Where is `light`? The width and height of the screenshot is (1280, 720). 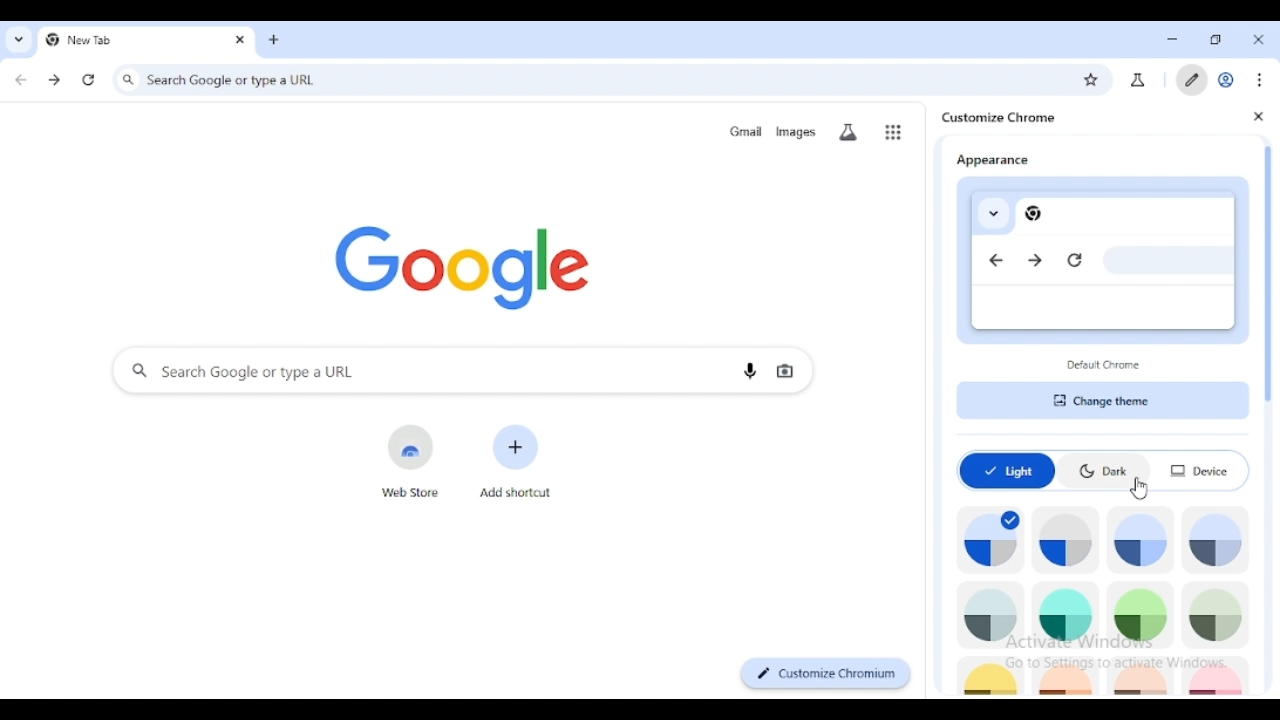 light is located at coordinates (1006, 471).